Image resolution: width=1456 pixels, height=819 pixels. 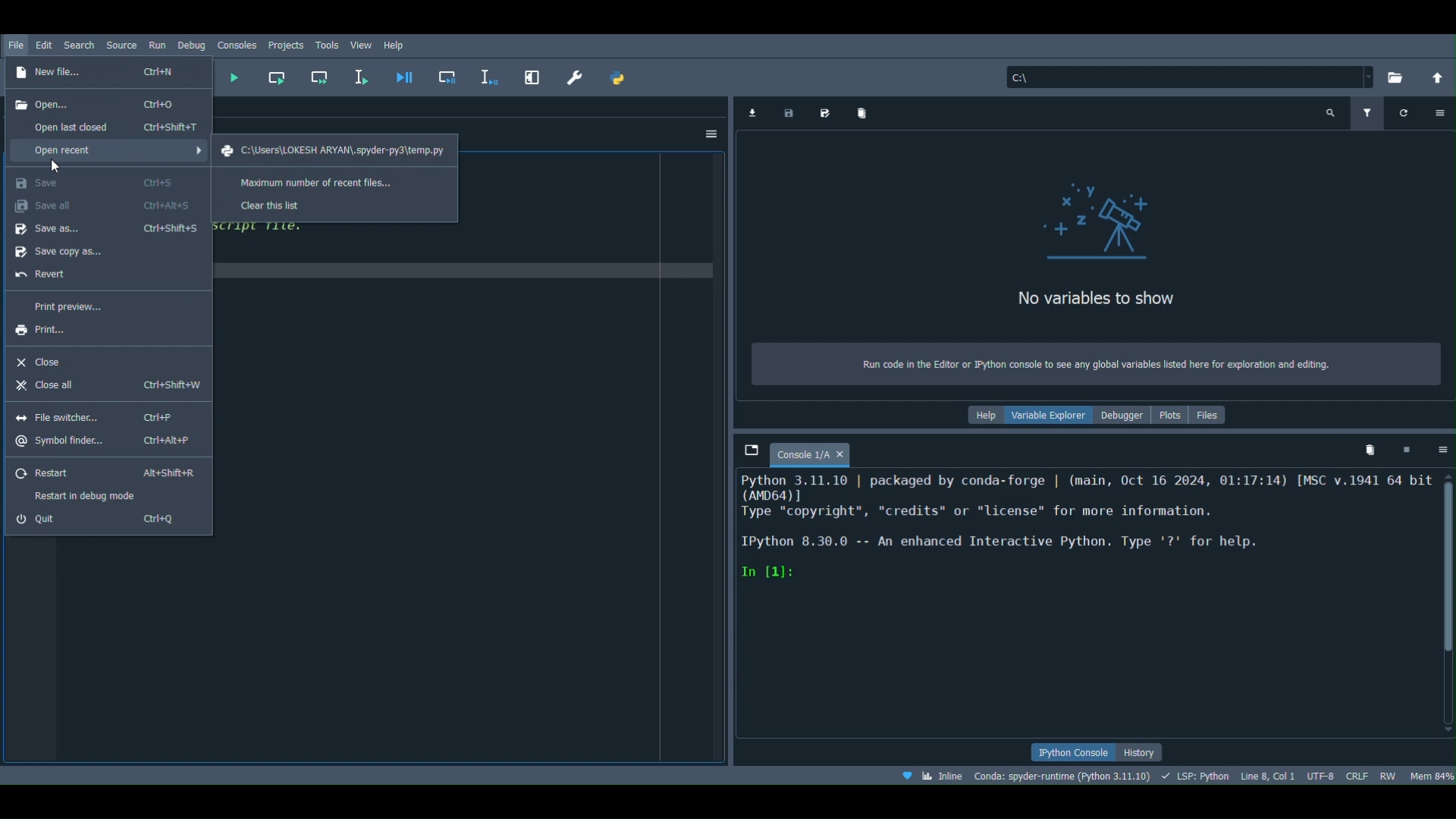 What do you see at coordinates (109, 149) in the screenshot?
I see `Open recent` at bounding box center [109, 149].